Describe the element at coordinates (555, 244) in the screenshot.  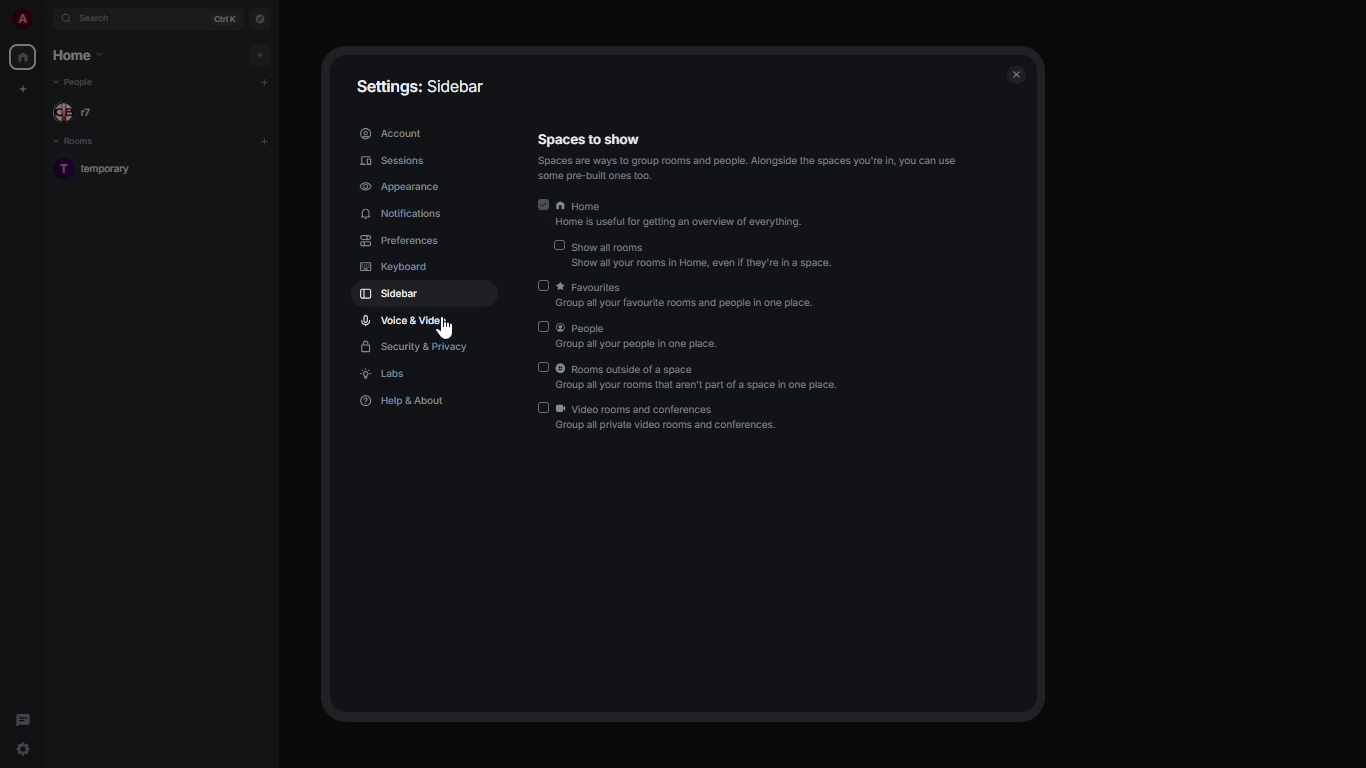
I see `disabled` at that location.